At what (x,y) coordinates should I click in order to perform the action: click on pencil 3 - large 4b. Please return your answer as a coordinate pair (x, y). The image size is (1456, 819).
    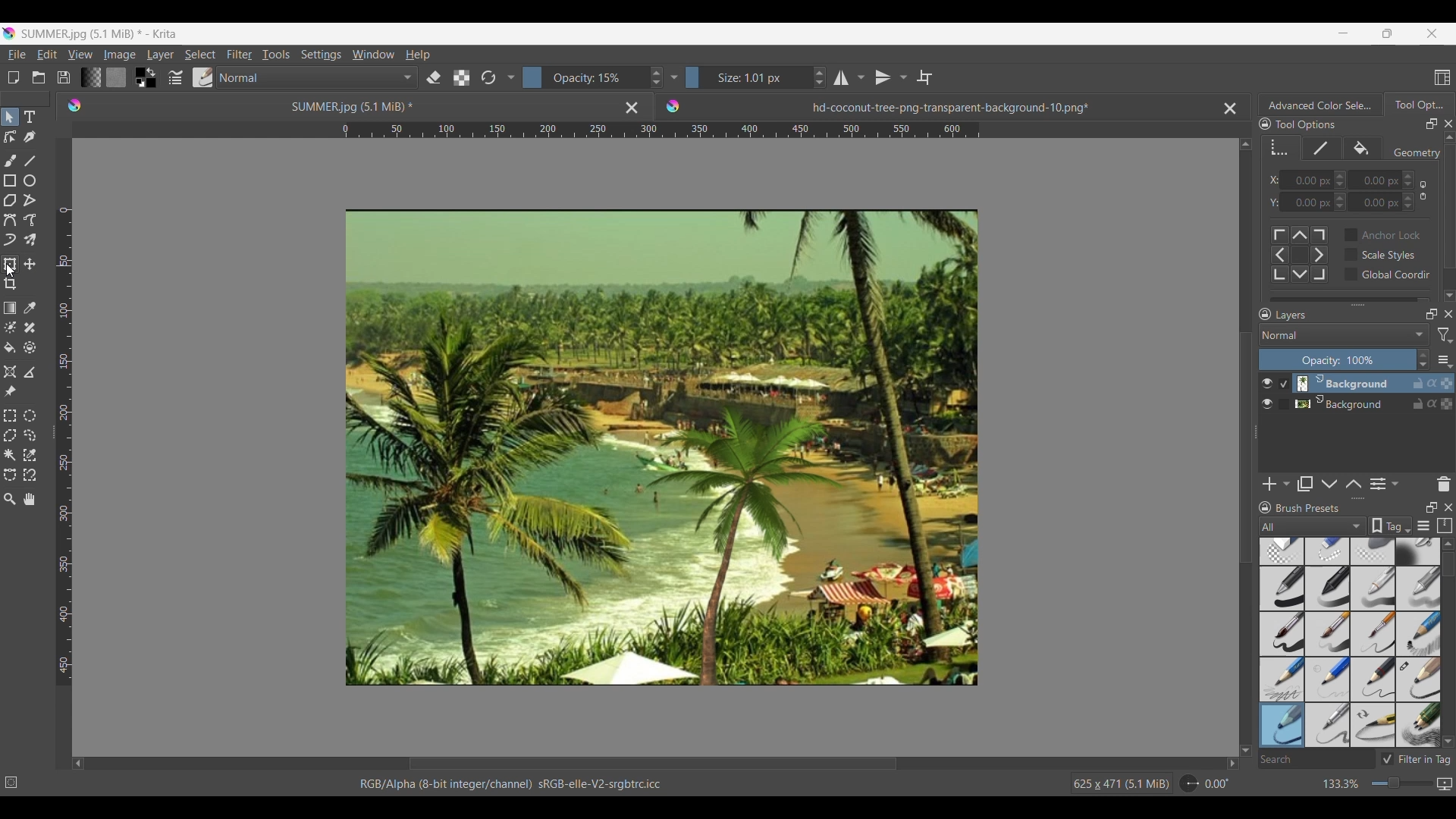
    Looking at the image, I should click on (1419, 680).